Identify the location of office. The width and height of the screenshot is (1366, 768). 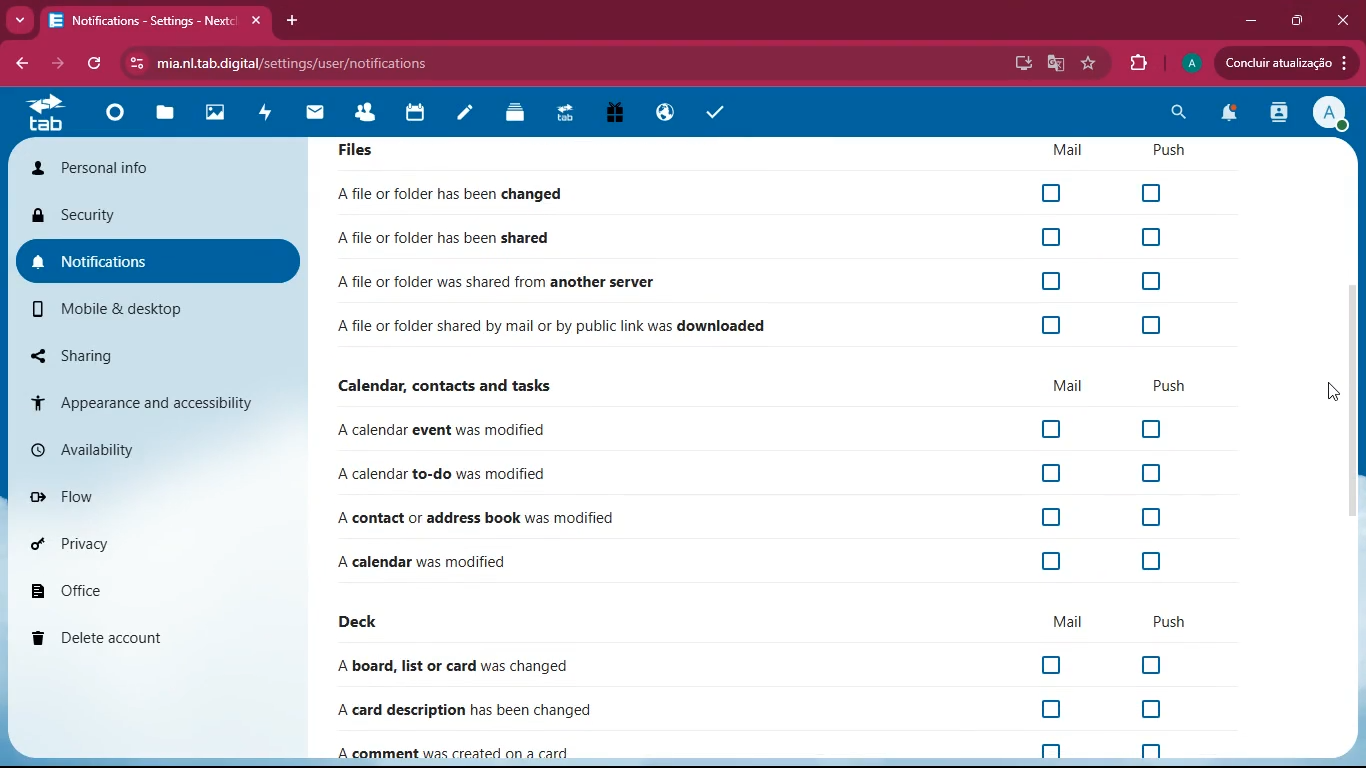
(131, 590).